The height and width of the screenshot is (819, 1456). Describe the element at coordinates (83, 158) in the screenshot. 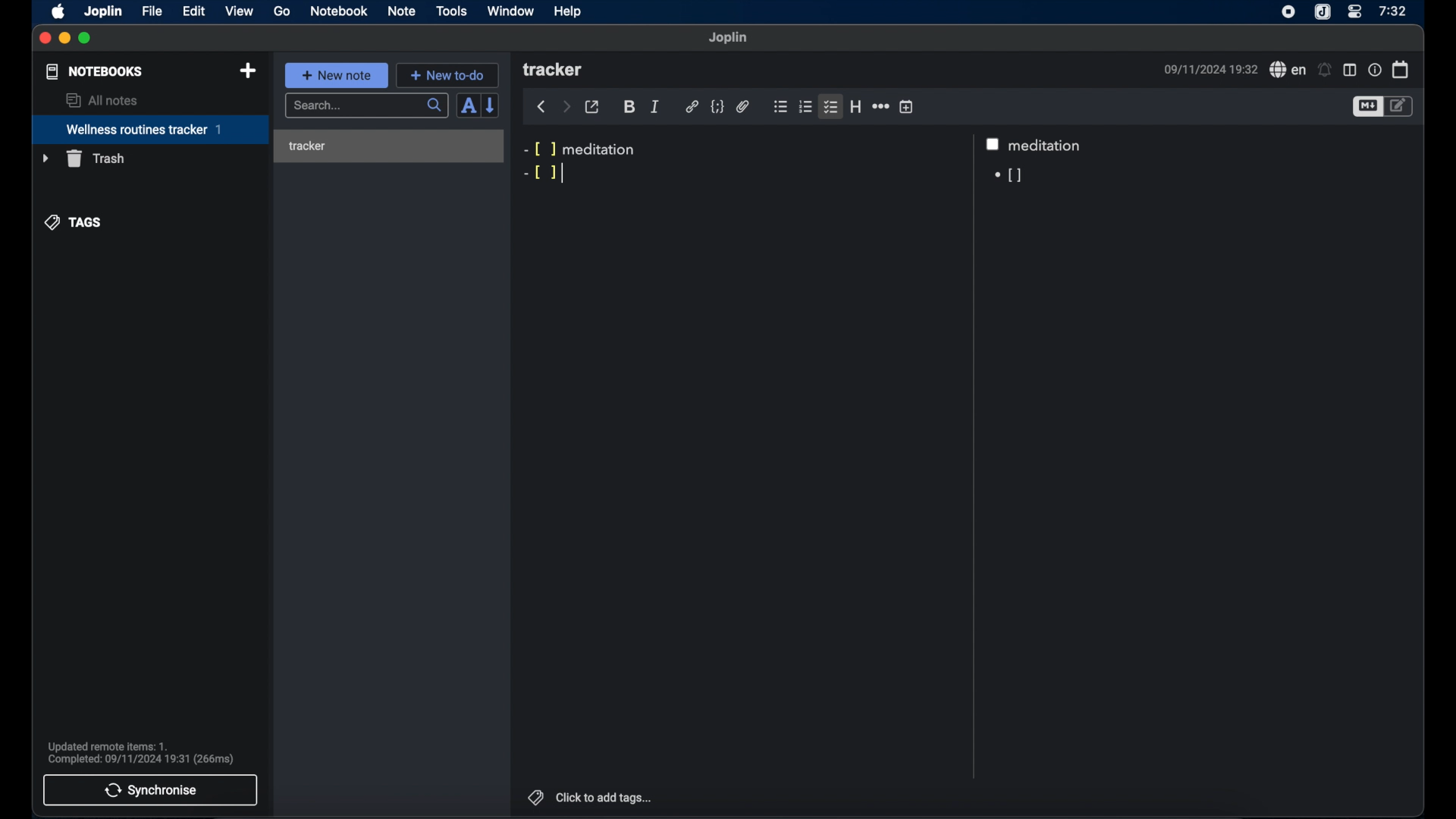

I see `trash` at that location.